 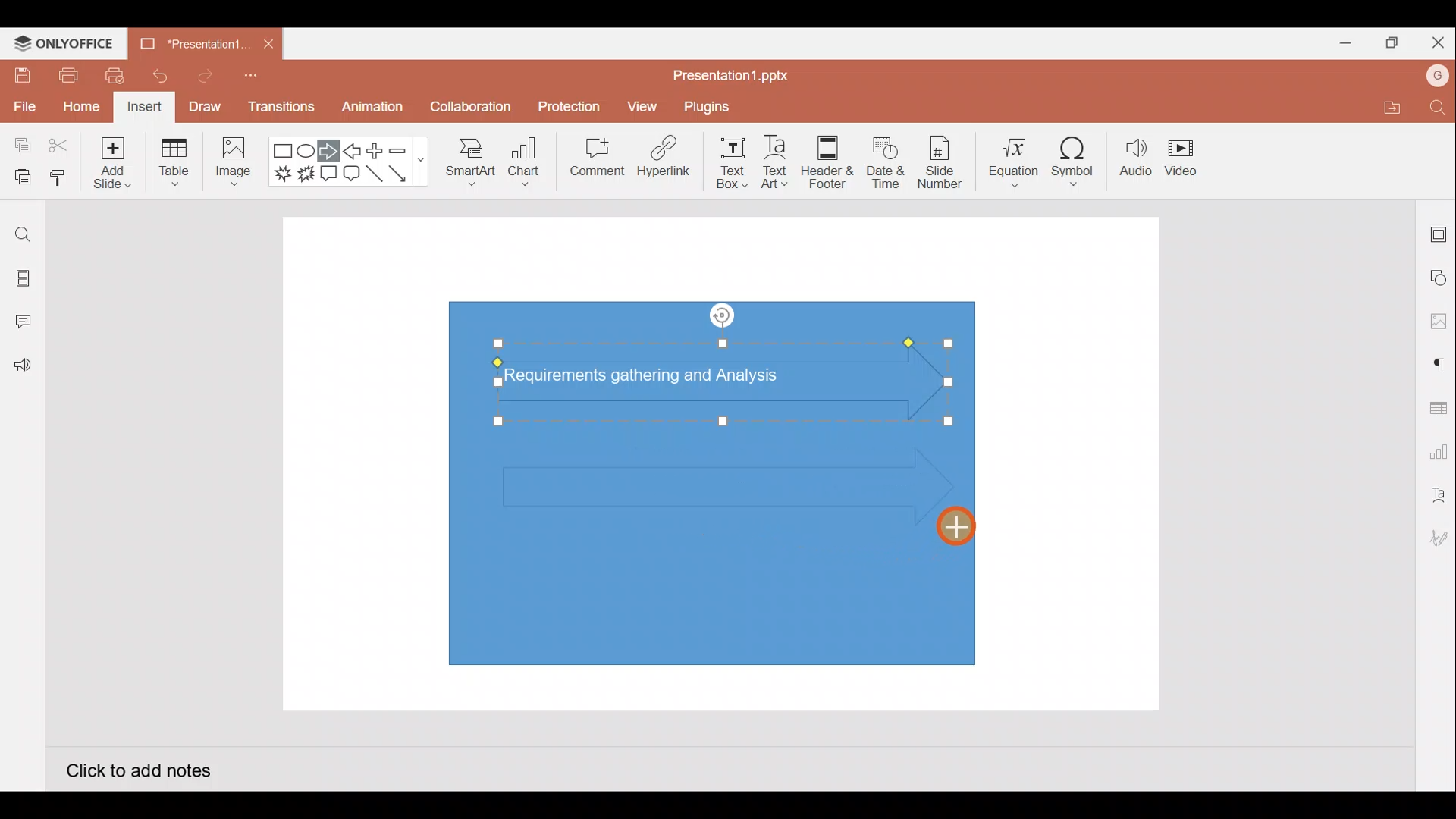 What do you see at coordinates (231, 165) in the screenshot?
I see `Image` at bounding box center [231, 165].